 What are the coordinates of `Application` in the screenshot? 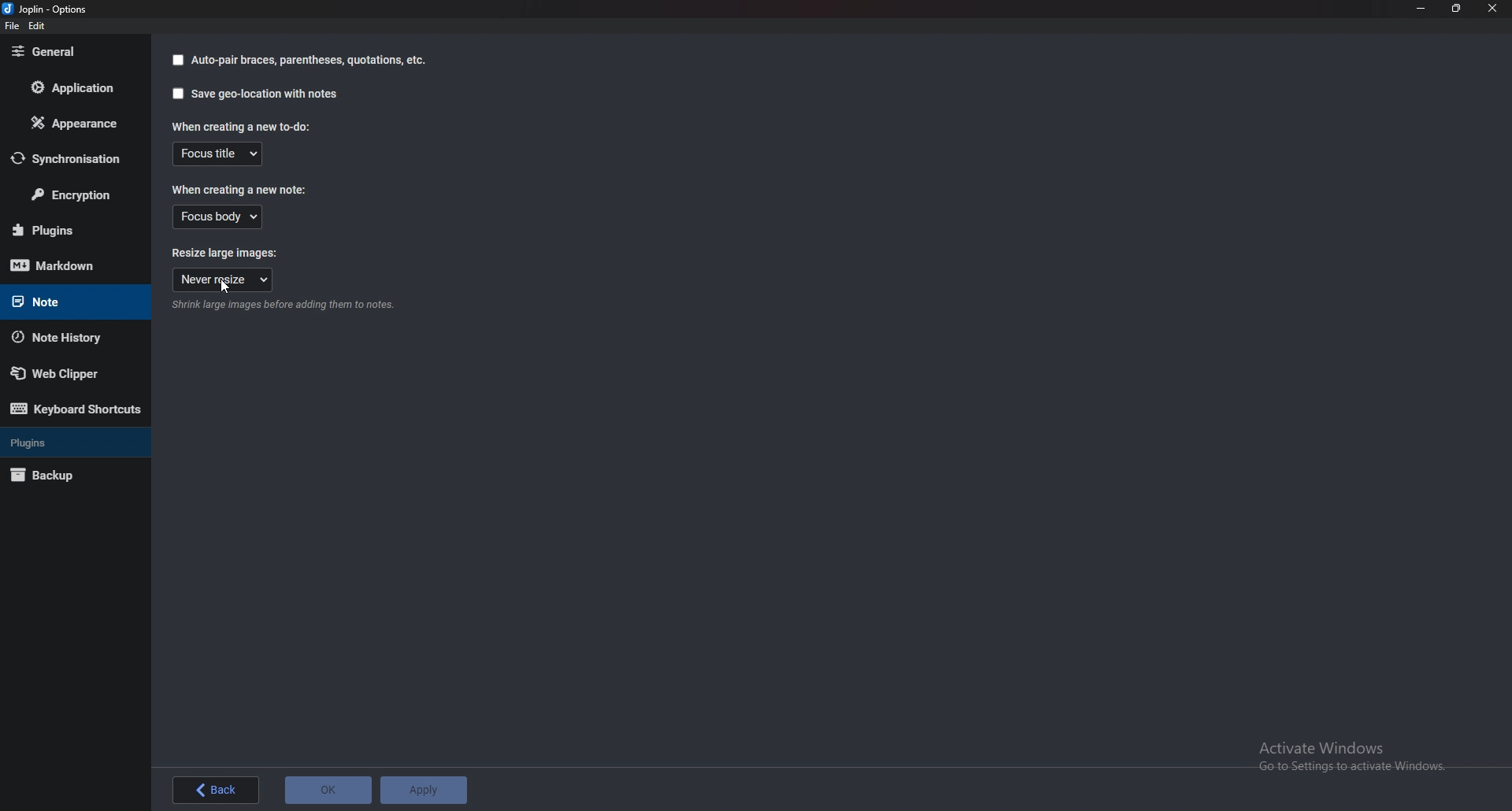 It's located at (71, 87).